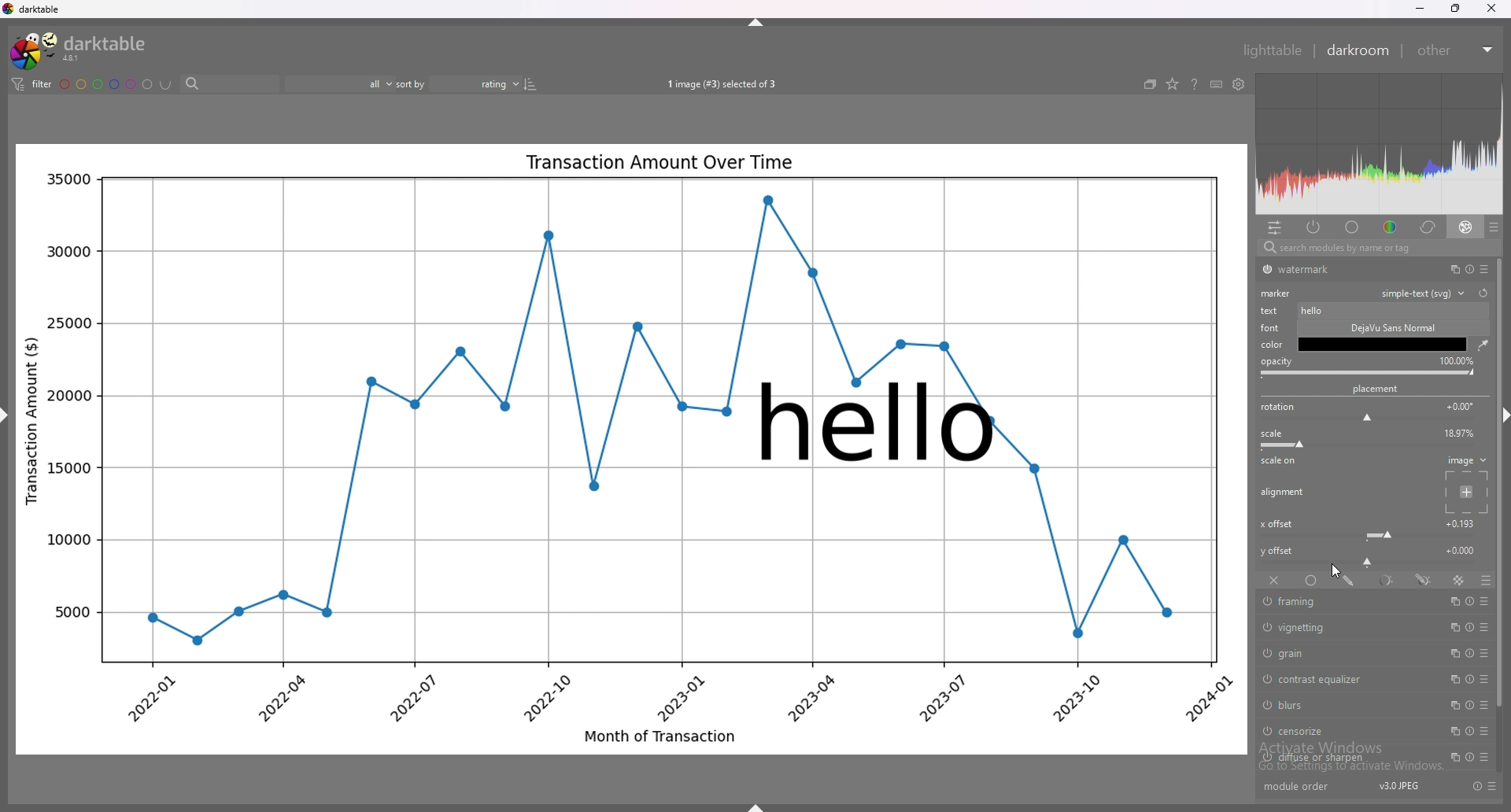 The image size is (1511, 812). Describe the element at coordinates (1342, 652) in the screenshot. I see `grain` at that location.